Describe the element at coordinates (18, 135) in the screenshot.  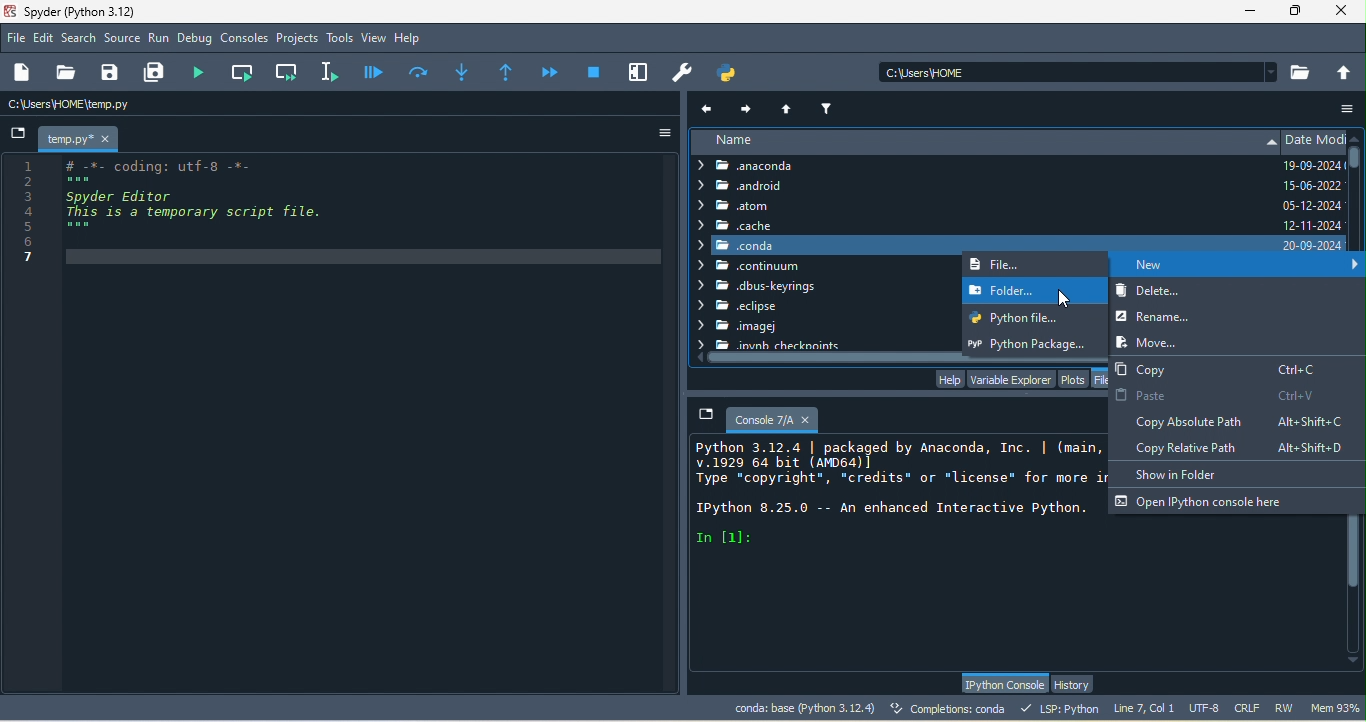
I see `browse tabs` at that location.